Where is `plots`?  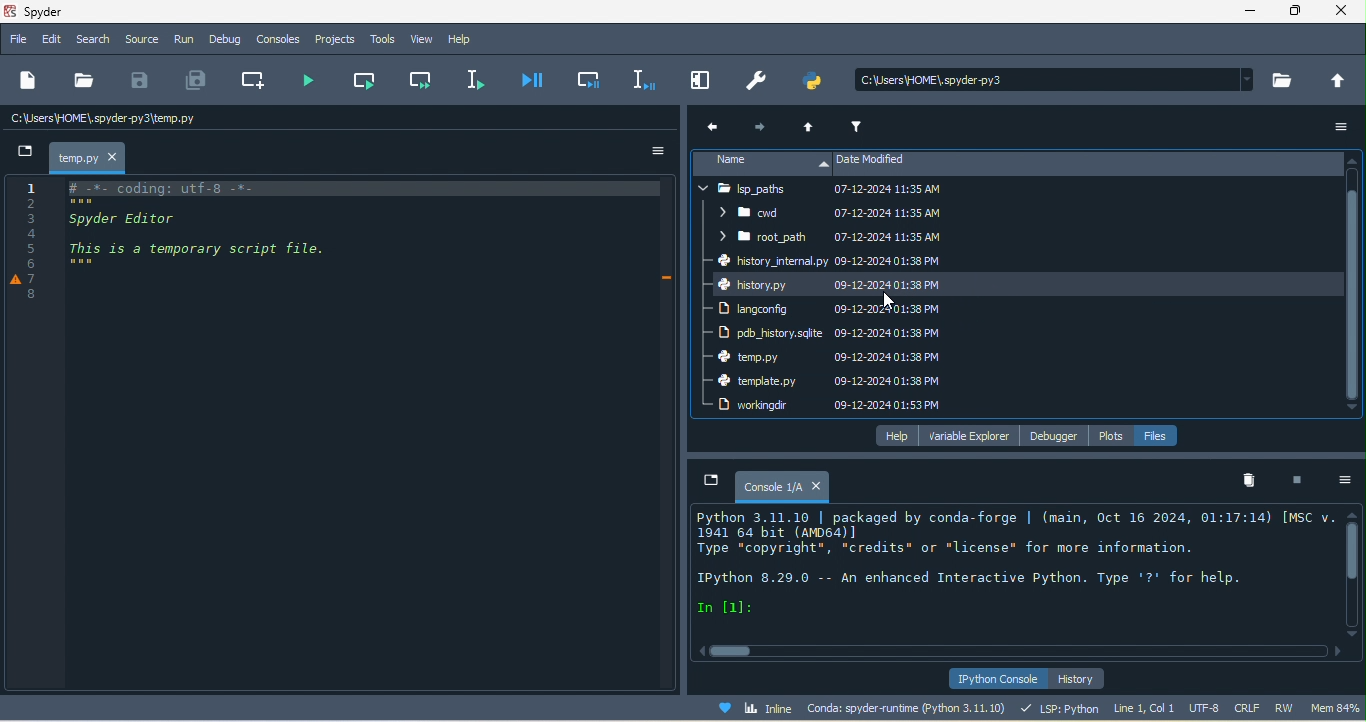
plots is located at coordinates (1114, 437).